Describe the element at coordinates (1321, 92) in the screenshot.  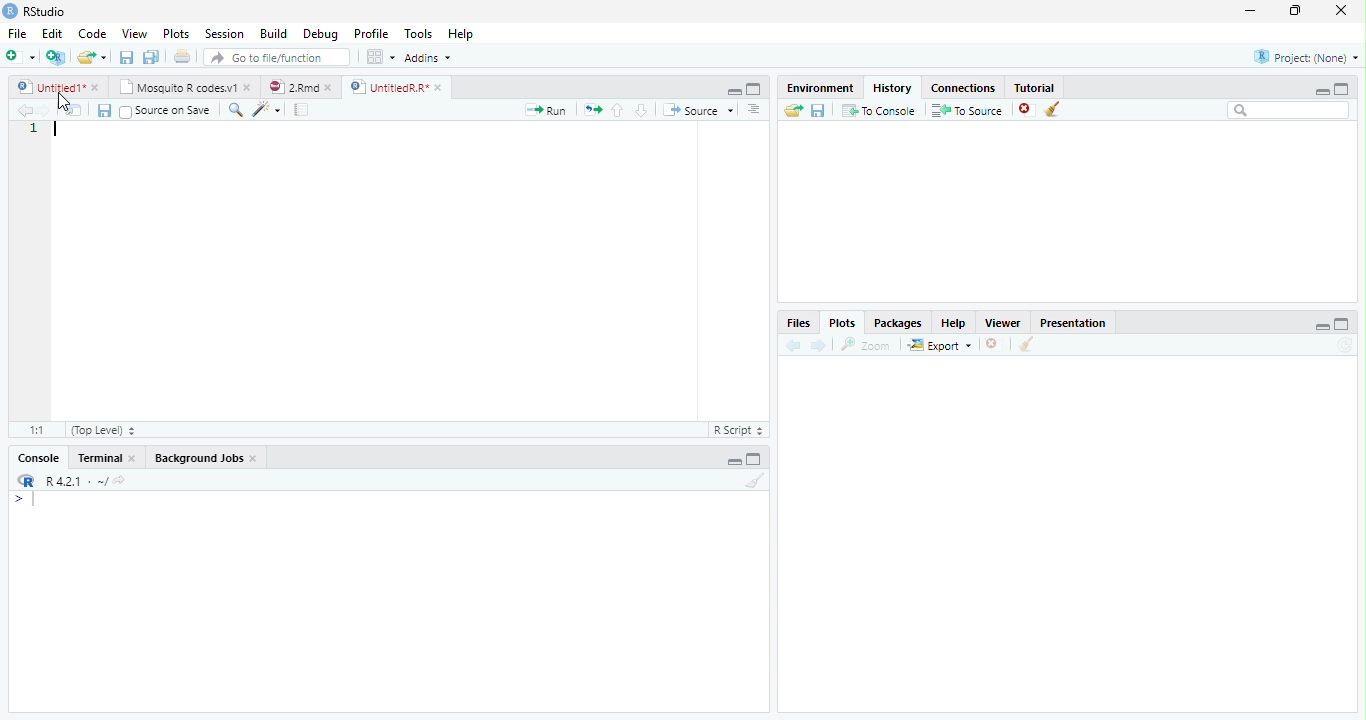
I see `Minimize` at that location.